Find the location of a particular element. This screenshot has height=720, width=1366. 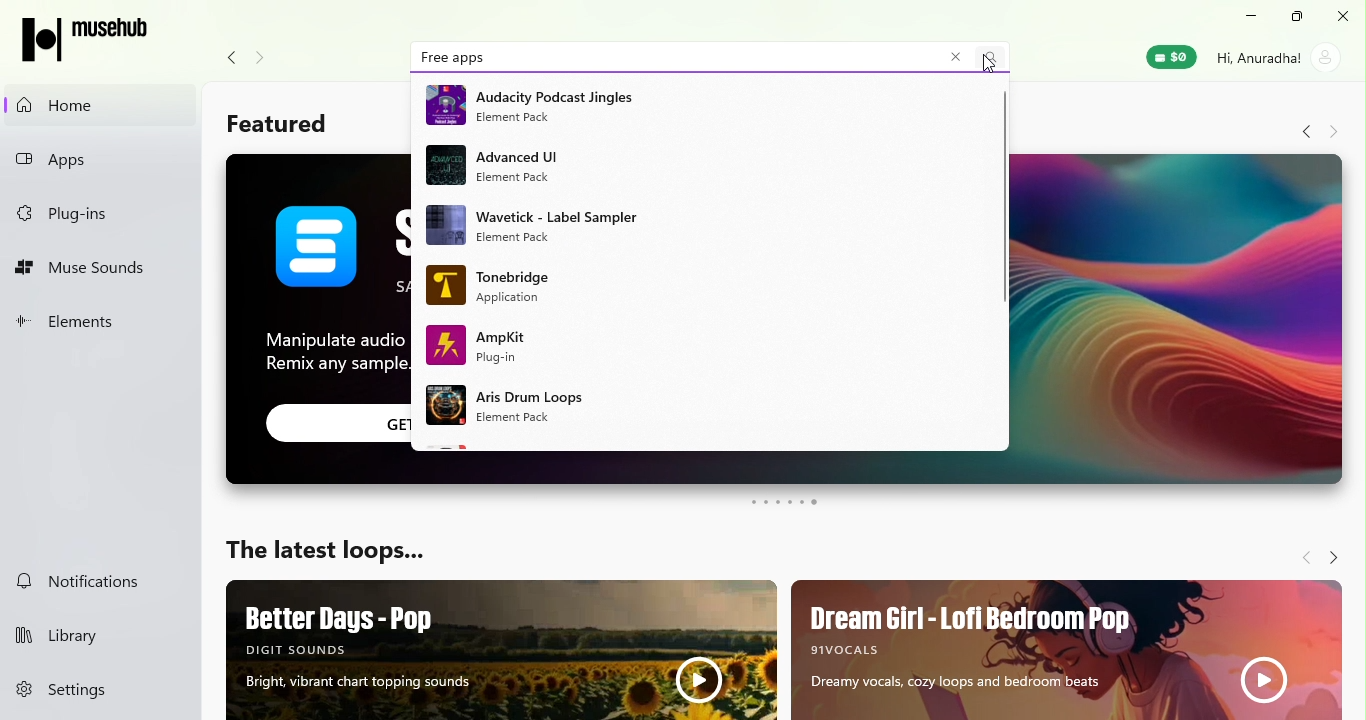

MuseHub is located at coordinates (93, 38).